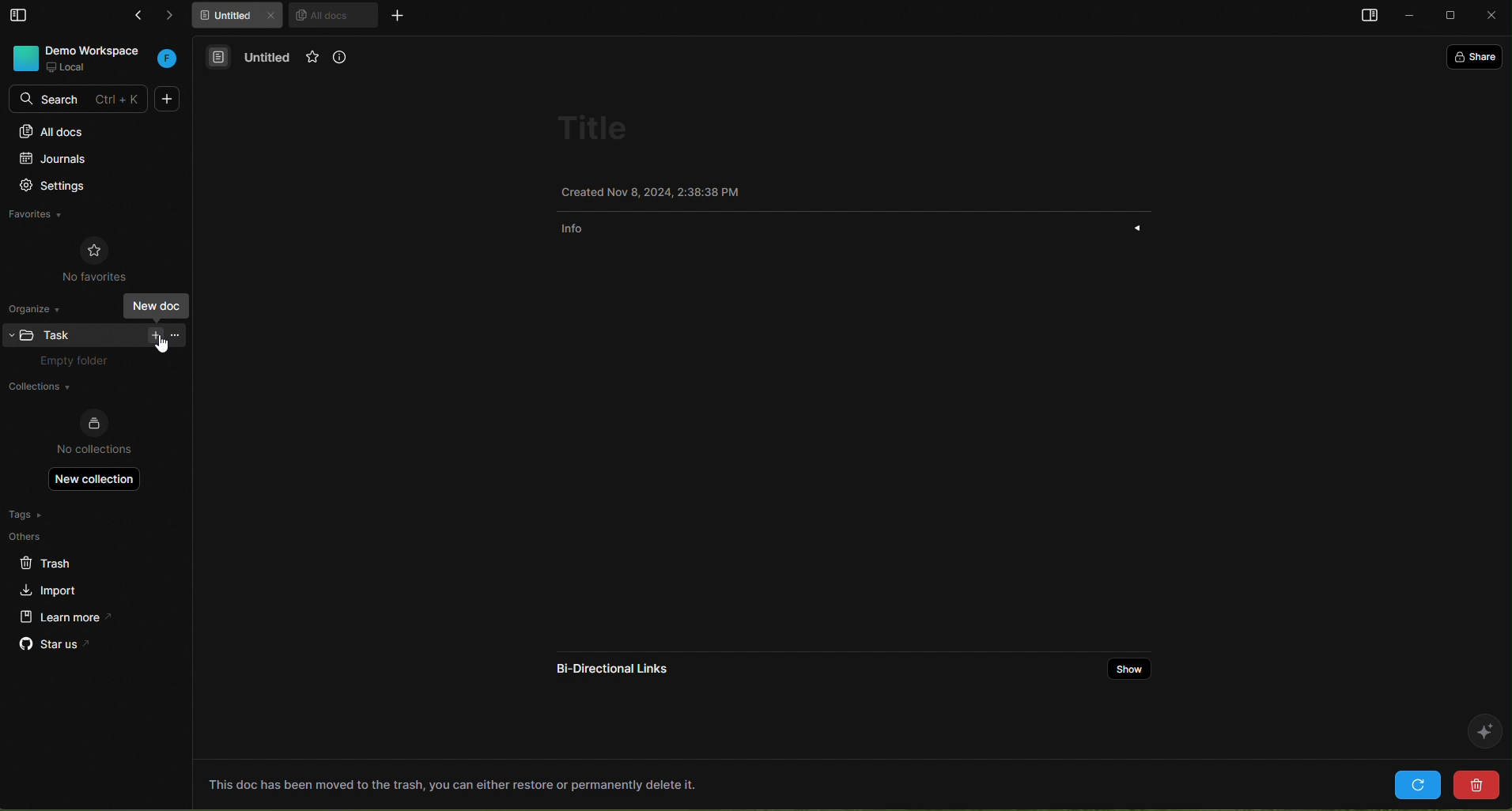 Image resolution: width=1512 pixels, height=811 pixels. I want to click on local, so click(68, 67).